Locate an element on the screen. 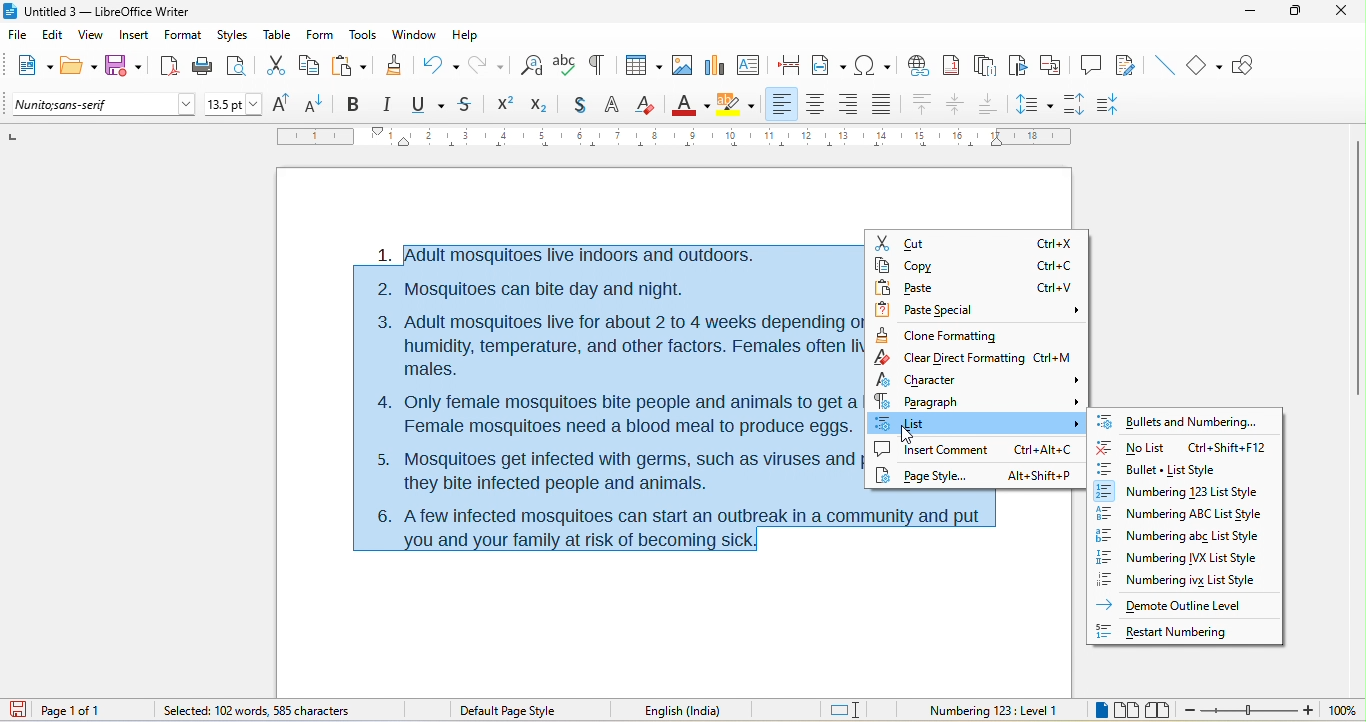 The image size is (1366, 722). increase paragraph spacing is located at coordinates (1080, 105).